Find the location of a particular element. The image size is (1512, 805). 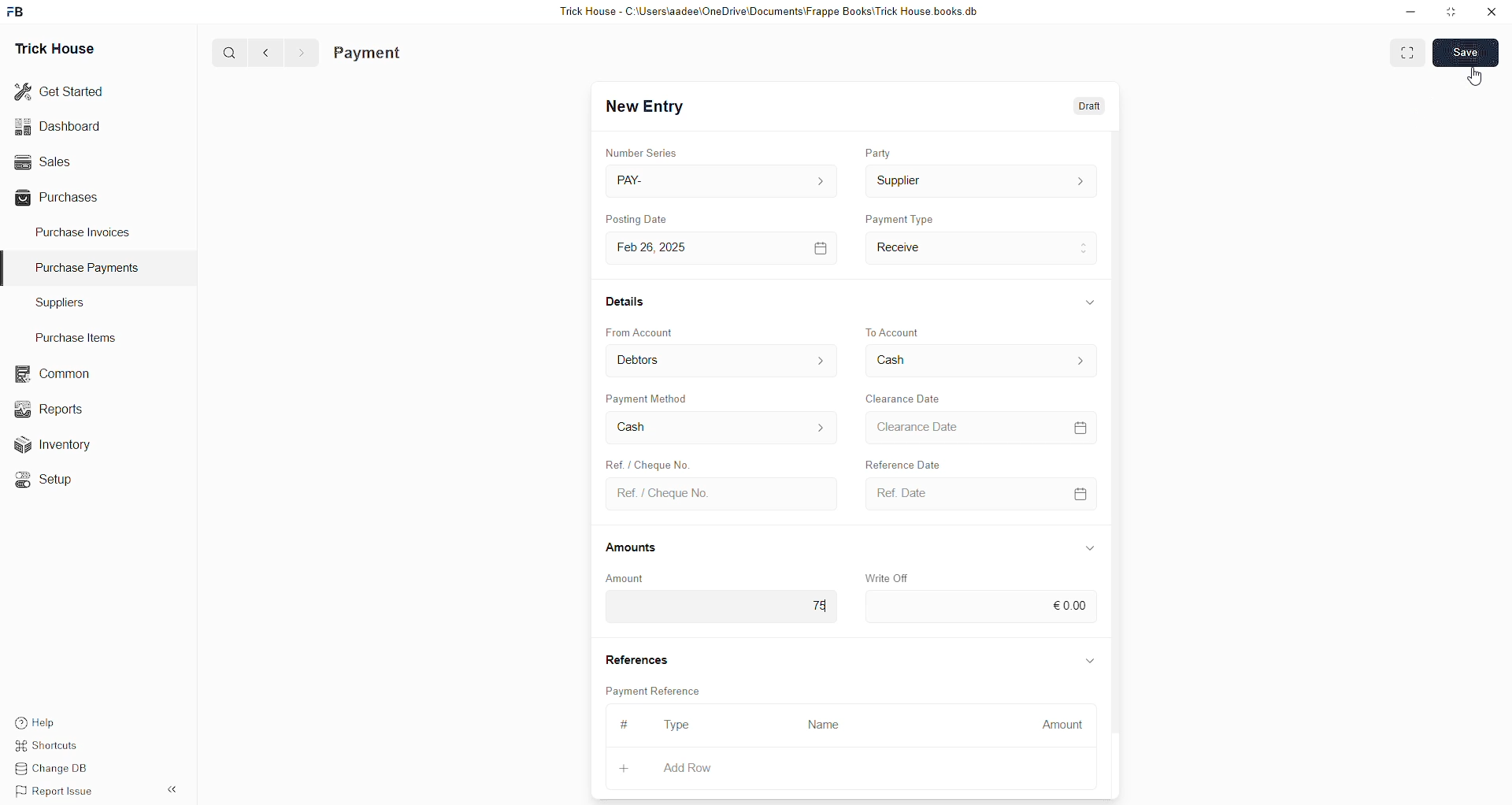

Ref. / Cheque No. is located at coordinates (656, 465).